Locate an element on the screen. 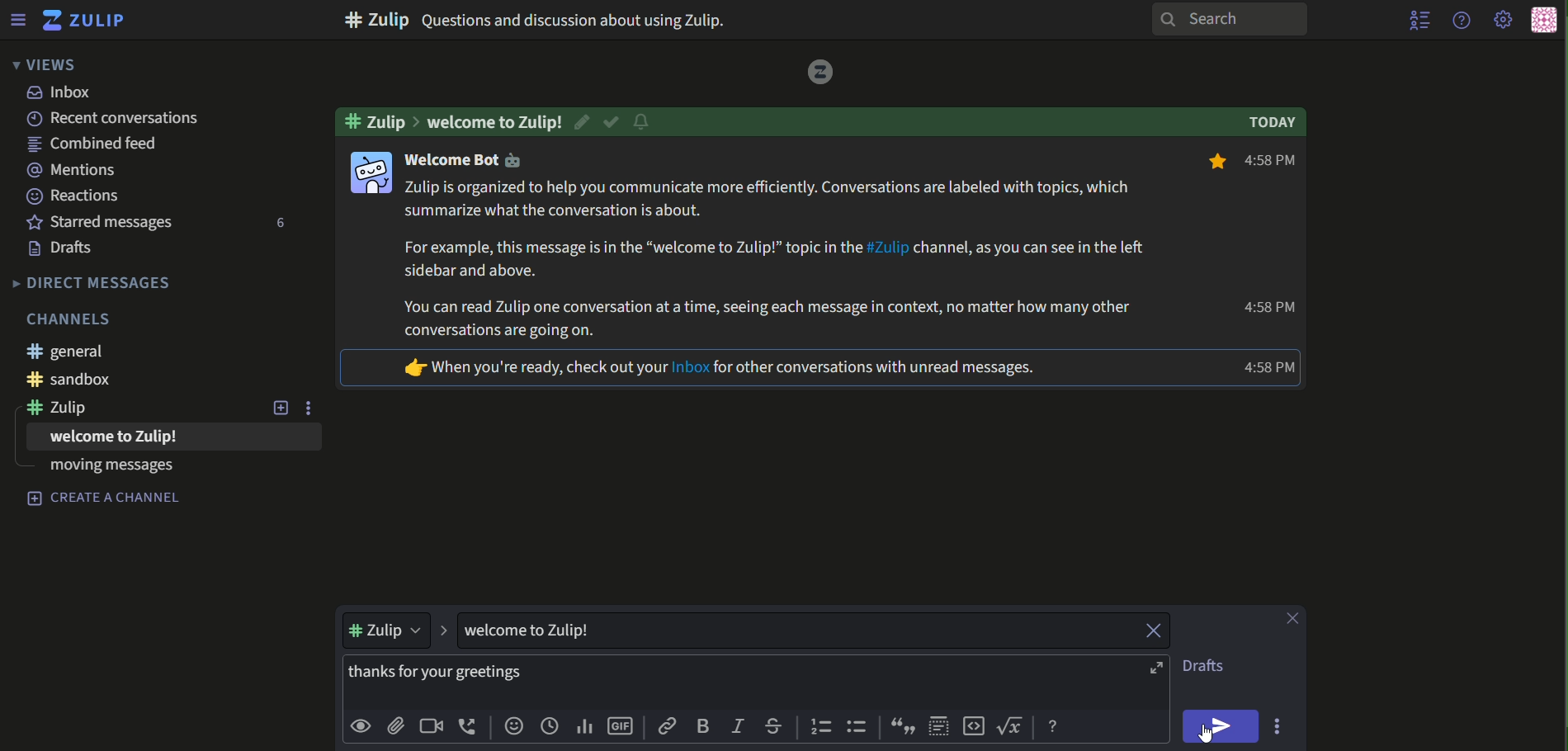 This screenshot has width=1568, height=751. edit is located at coordinates (585, 121).